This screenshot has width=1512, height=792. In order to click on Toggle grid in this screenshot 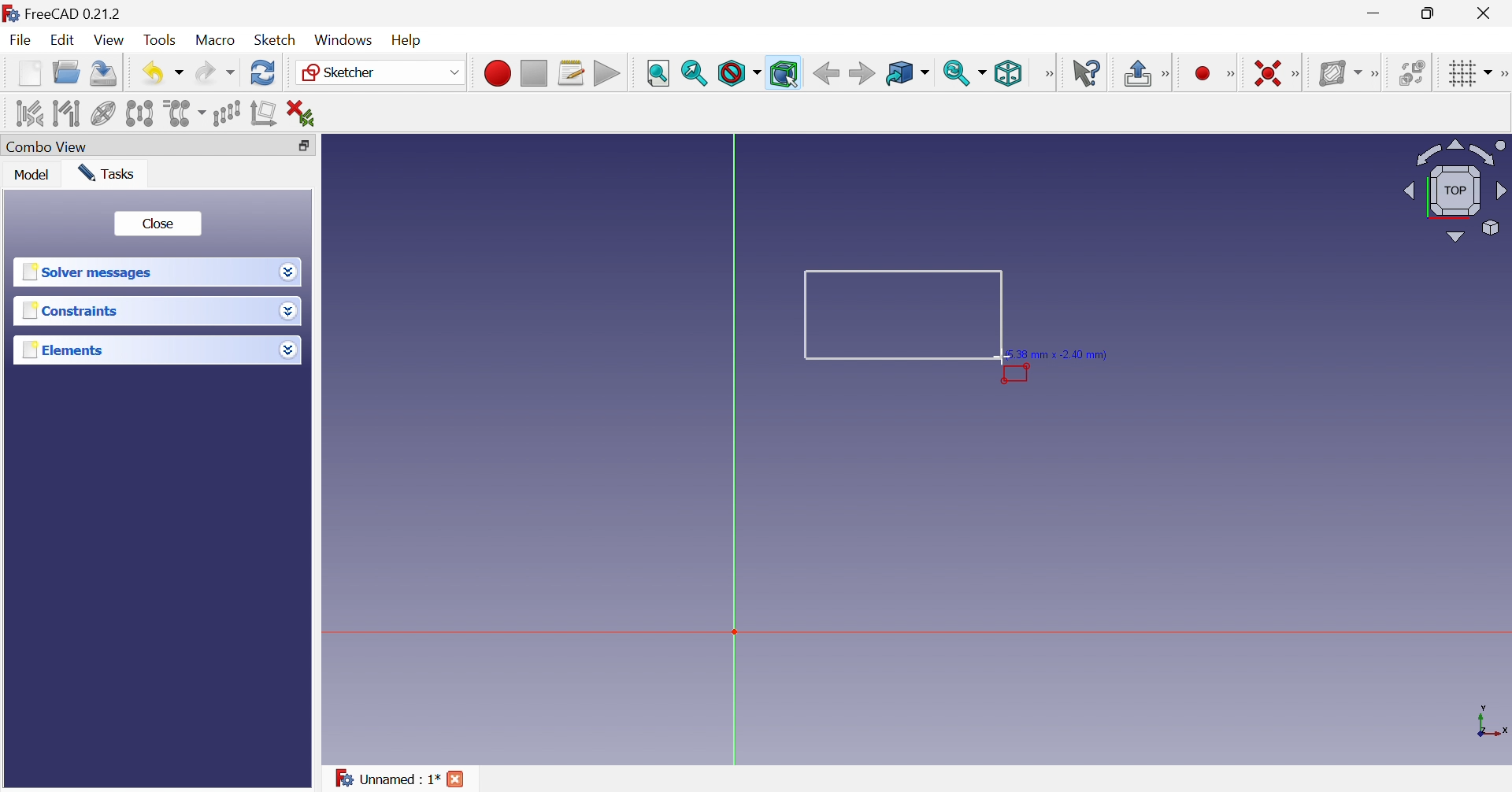, I will do `click(1469, 72)`.